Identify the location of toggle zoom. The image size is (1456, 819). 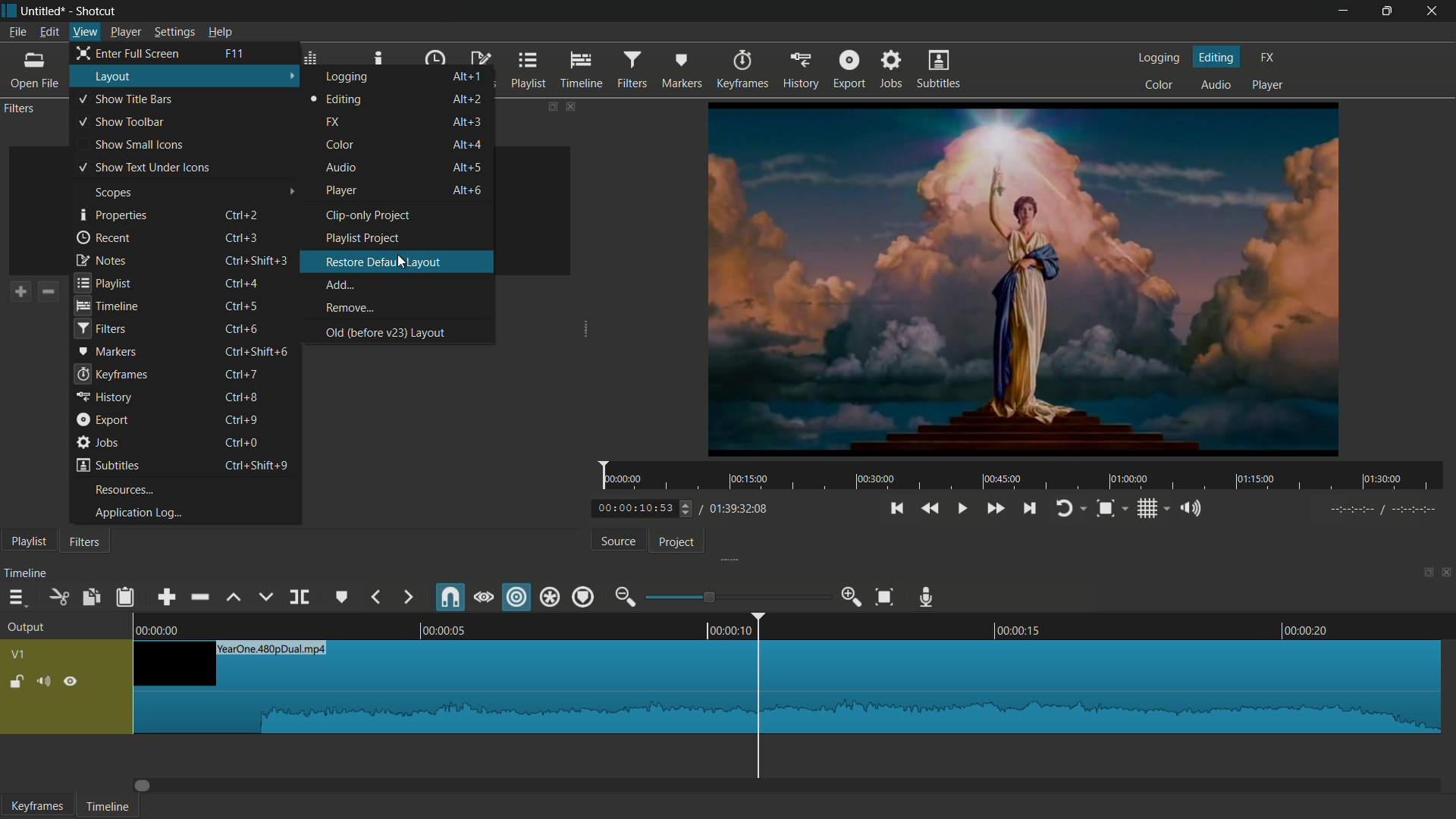
(1106, 509).